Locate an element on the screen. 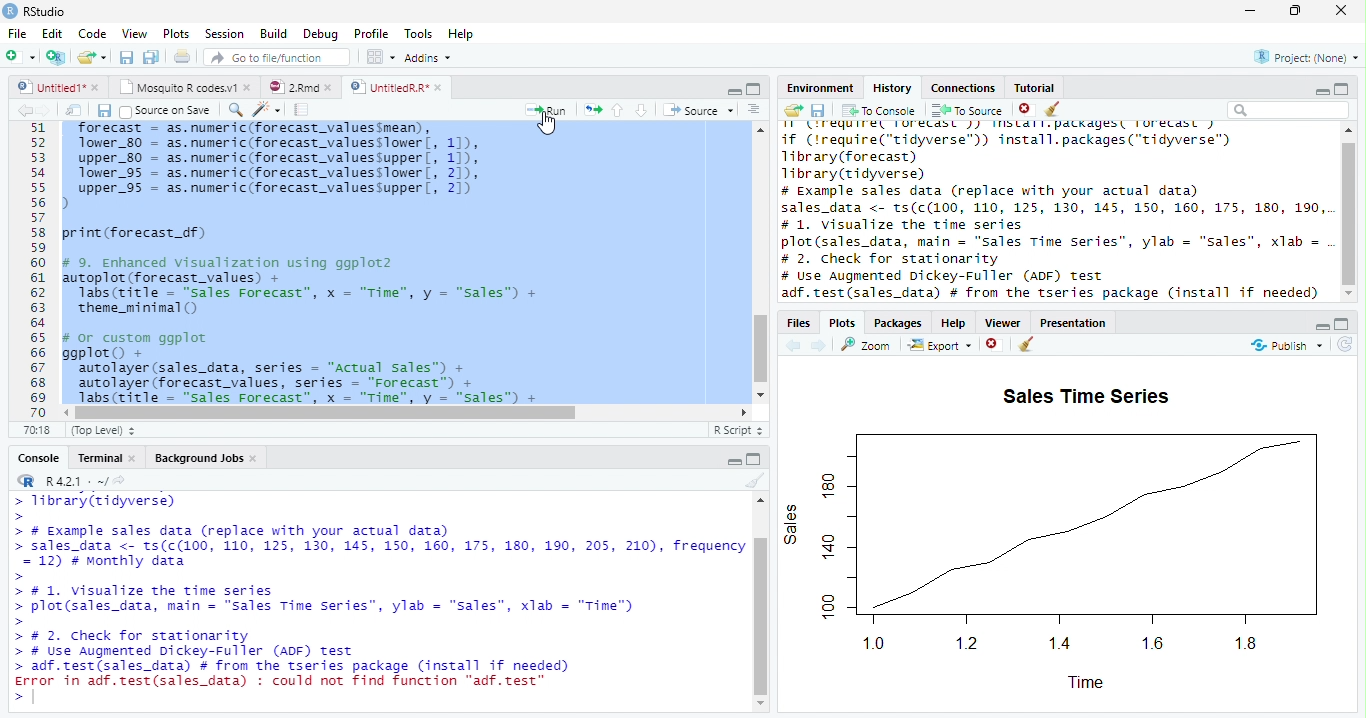  Minimize is located at coordinates (734, 91).